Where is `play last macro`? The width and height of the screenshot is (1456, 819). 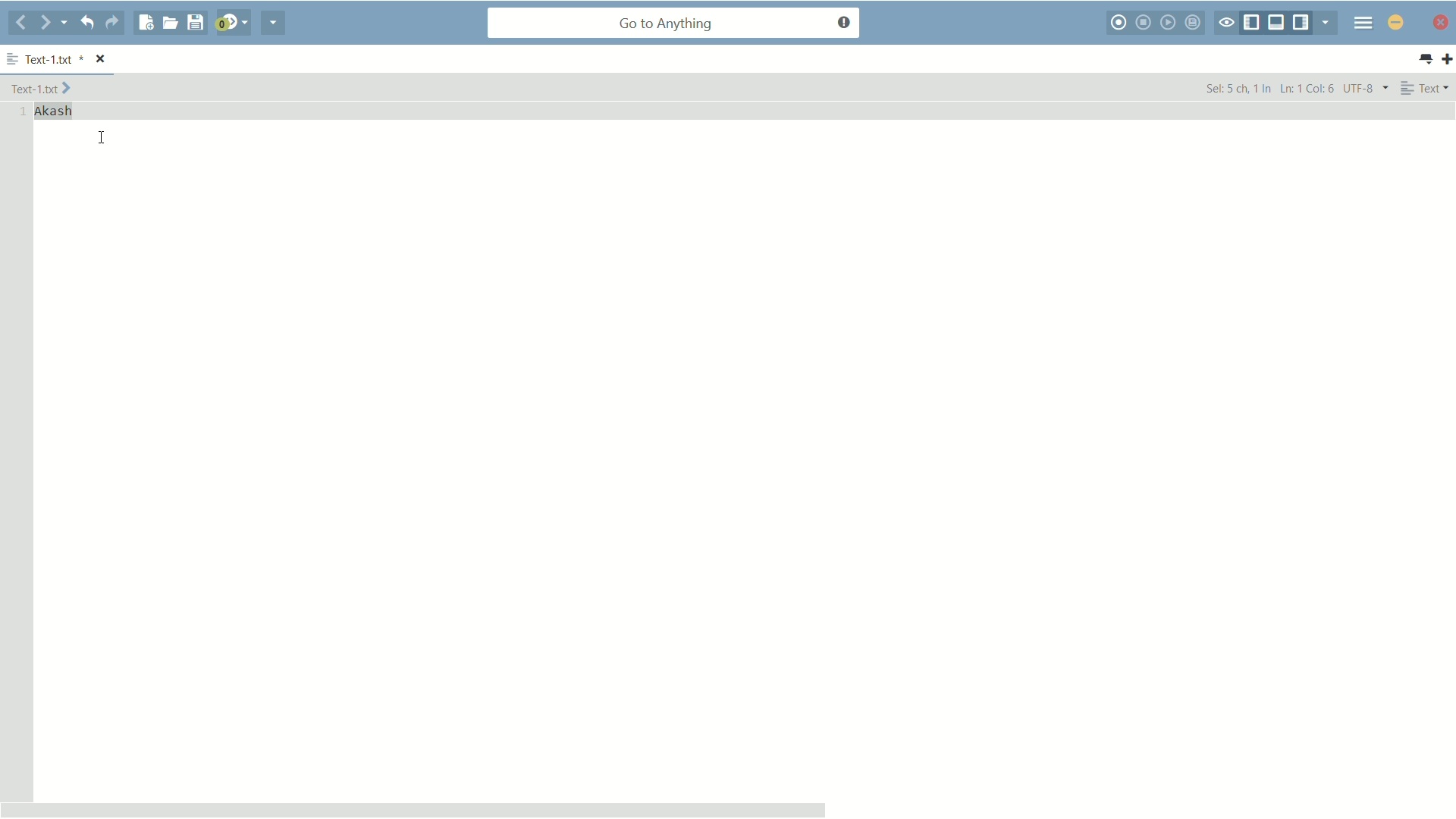 play last macro is located at coordinates (1170, 22).